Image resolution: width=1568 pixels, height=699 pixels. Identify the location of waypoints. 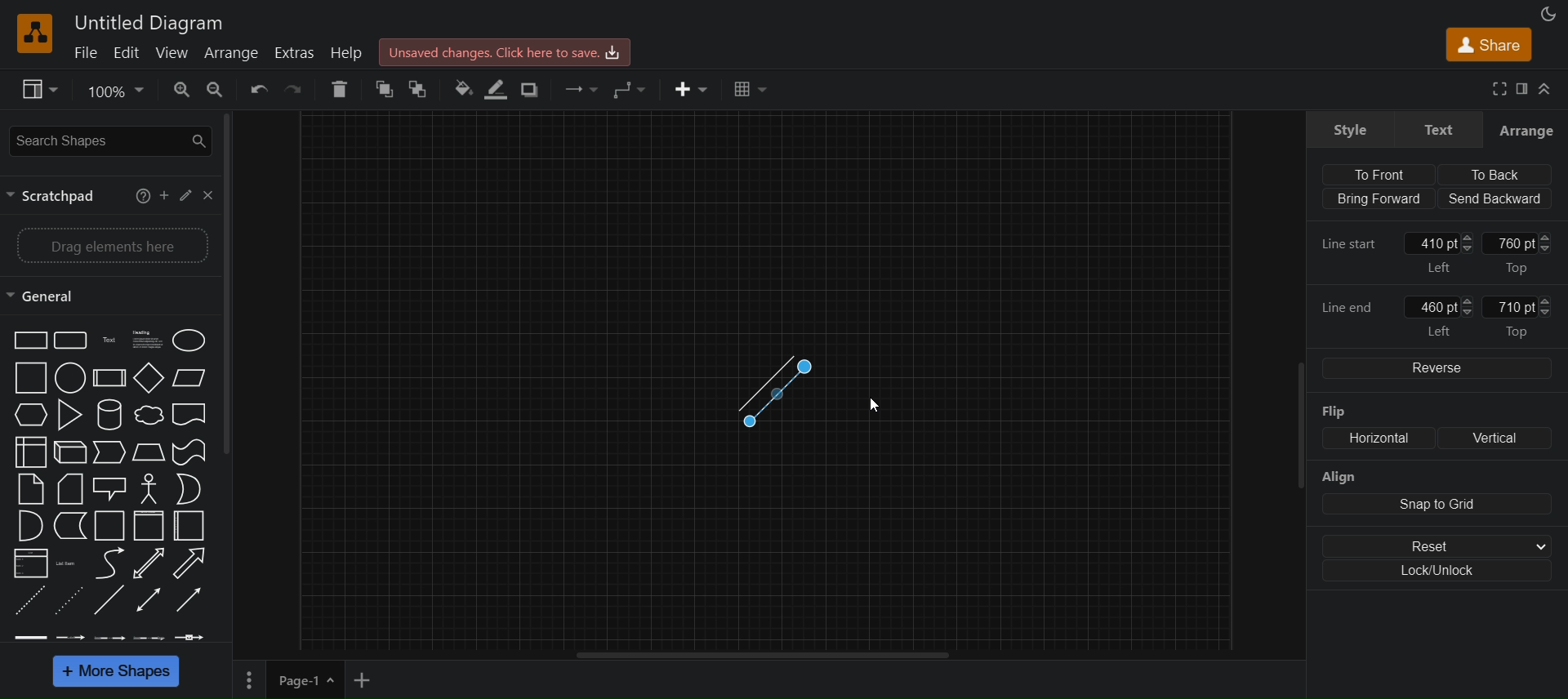
(633, 91).